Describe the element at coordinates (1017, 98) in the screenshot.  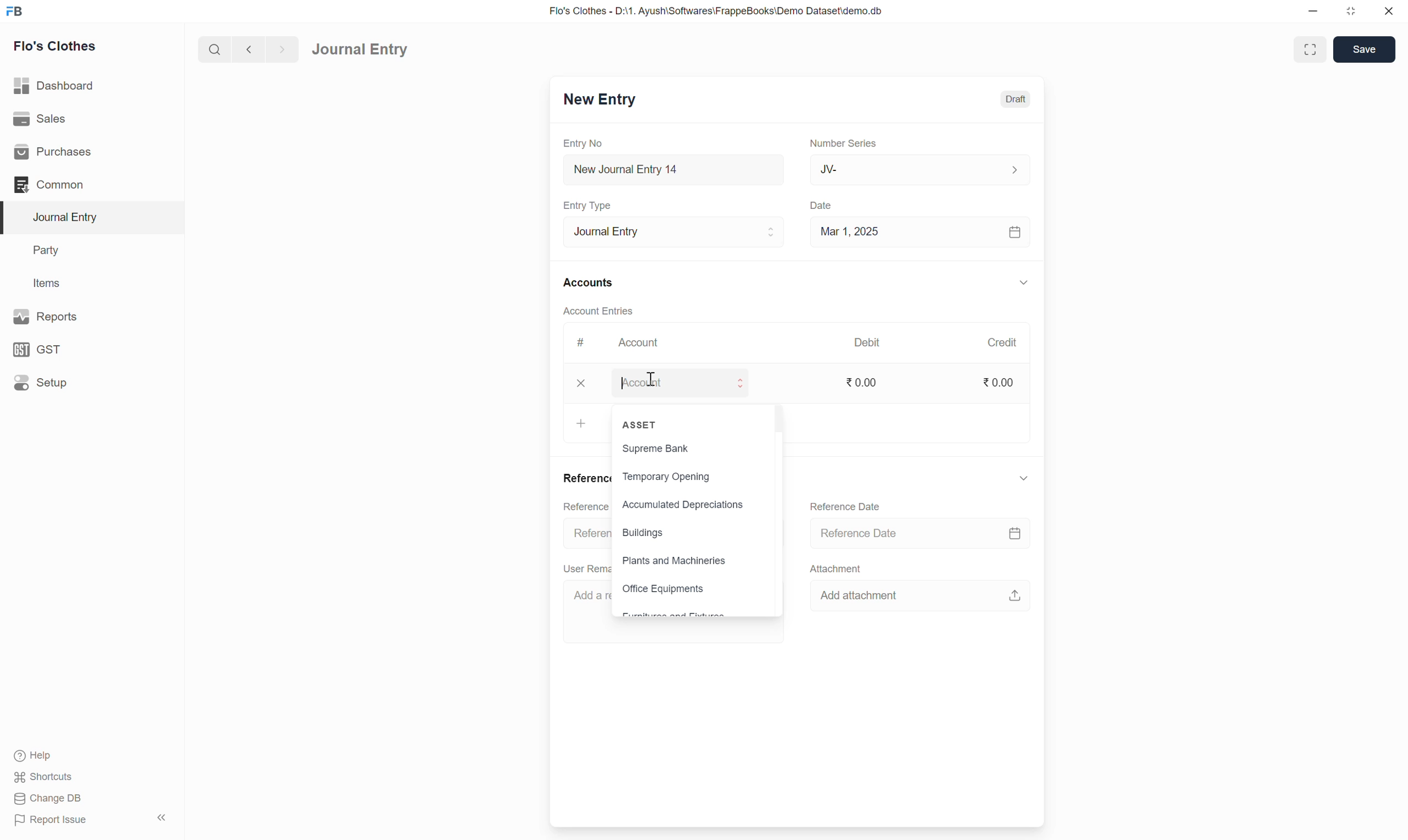
I see `Draft` at that location.